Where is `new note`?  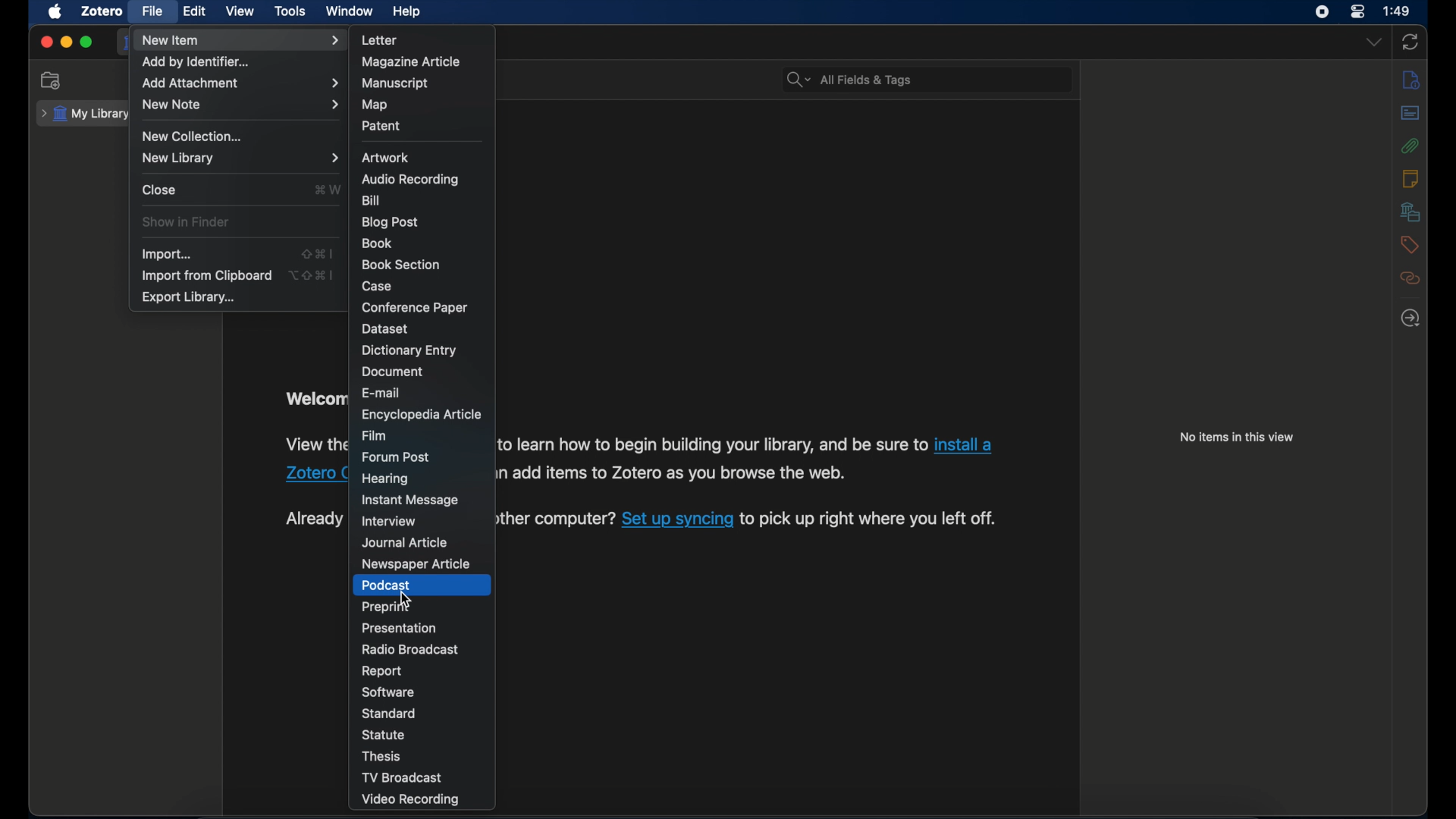
new note is located at coordinates (243, 105).